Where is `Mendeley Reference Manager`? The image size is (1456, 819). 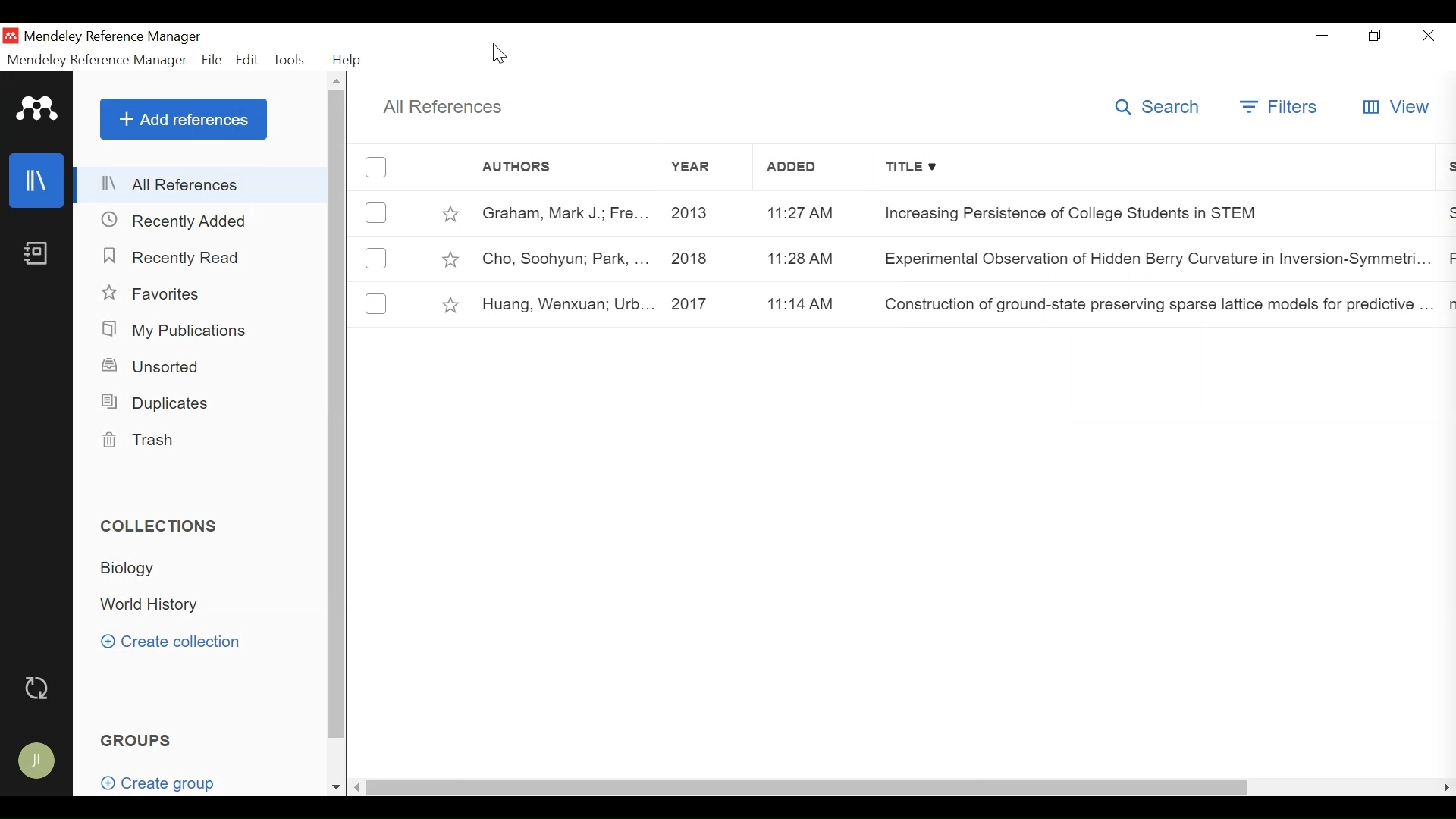 Mendeley Reference Manager is located at coordinates (98, 60).